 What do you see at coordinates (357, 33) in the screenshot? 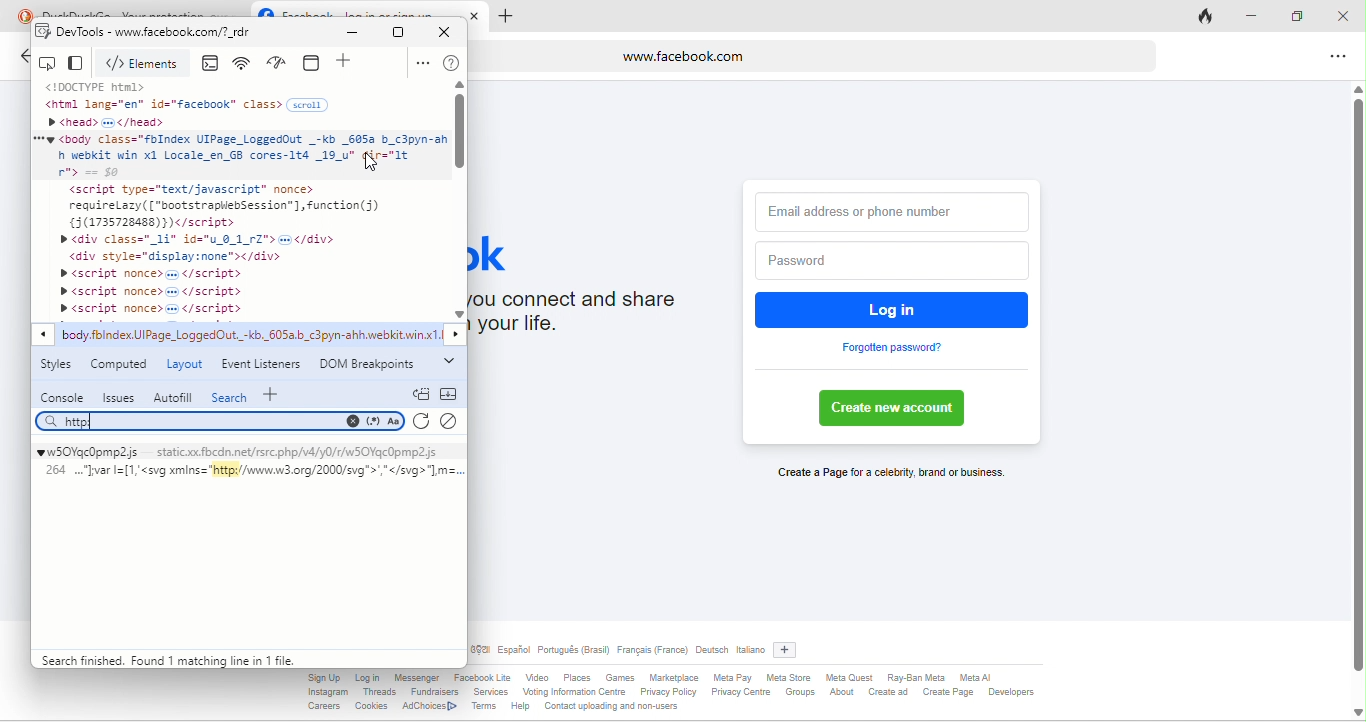
I see `minimize` at bounding box center [357, 33].